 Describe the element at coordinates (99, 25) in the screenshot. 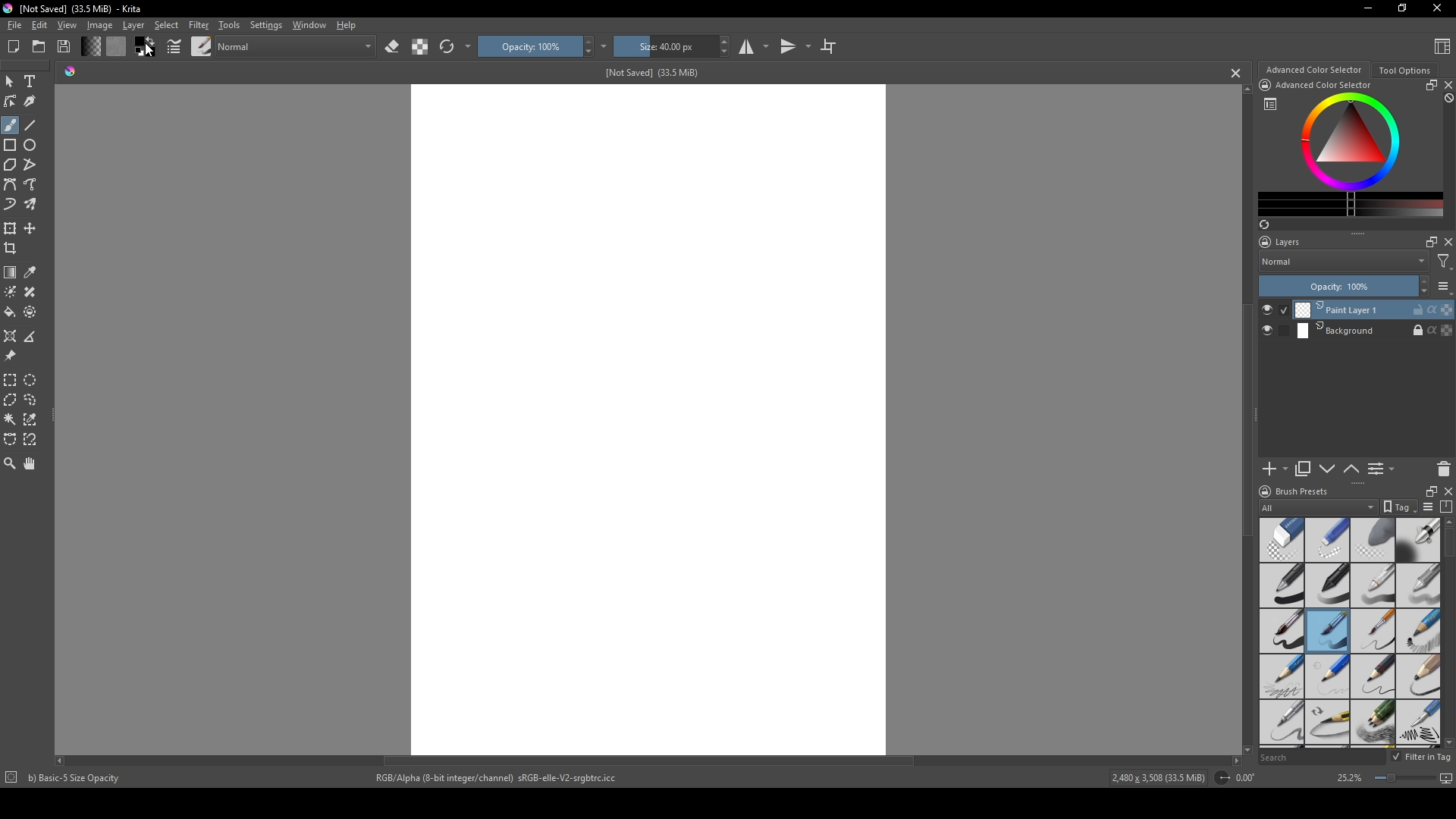

I see `Image` at that location.